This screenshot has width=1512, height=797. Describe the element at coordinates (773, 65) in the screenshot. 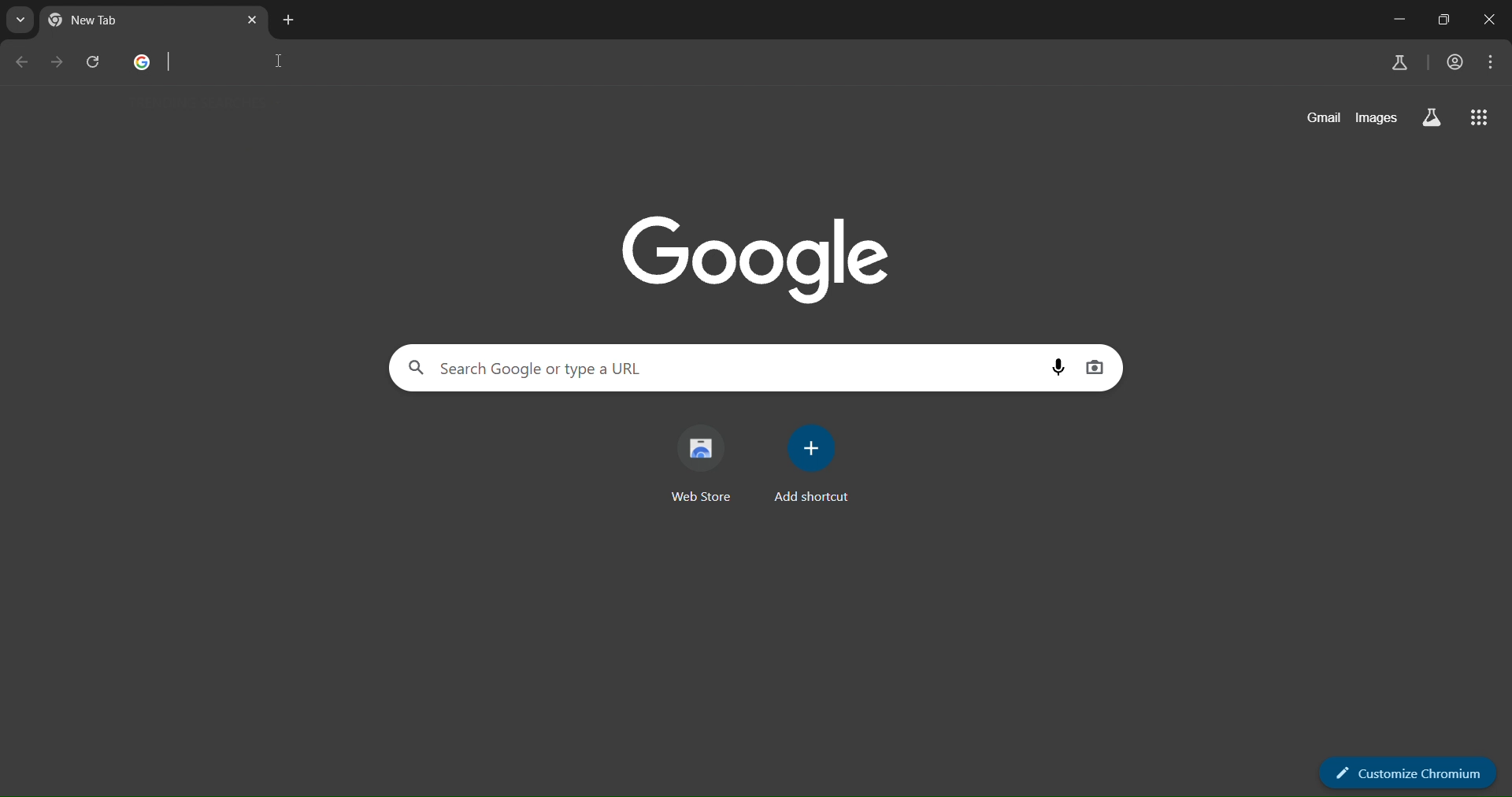

I see `Search Google or type a URL` at that location.